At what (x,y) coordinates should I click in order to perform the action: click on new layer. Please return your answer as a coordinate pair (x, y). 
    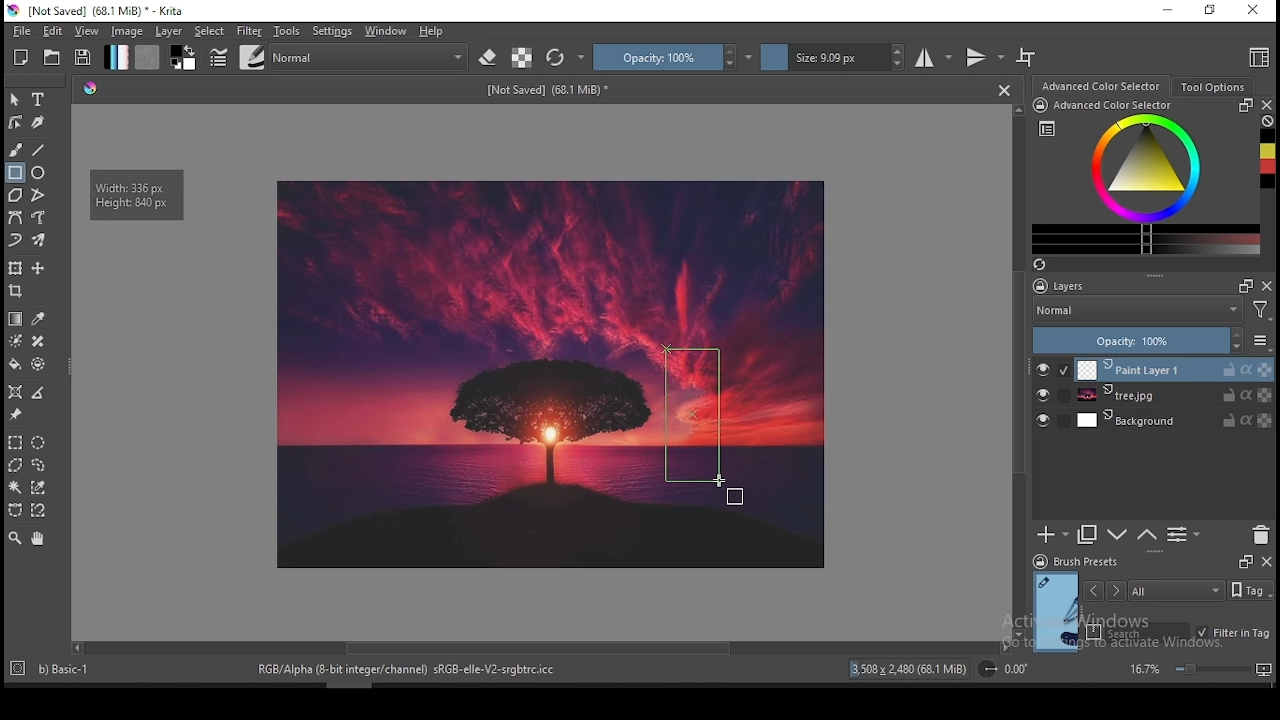
    Looking at the image, I should click on (1053, 536).